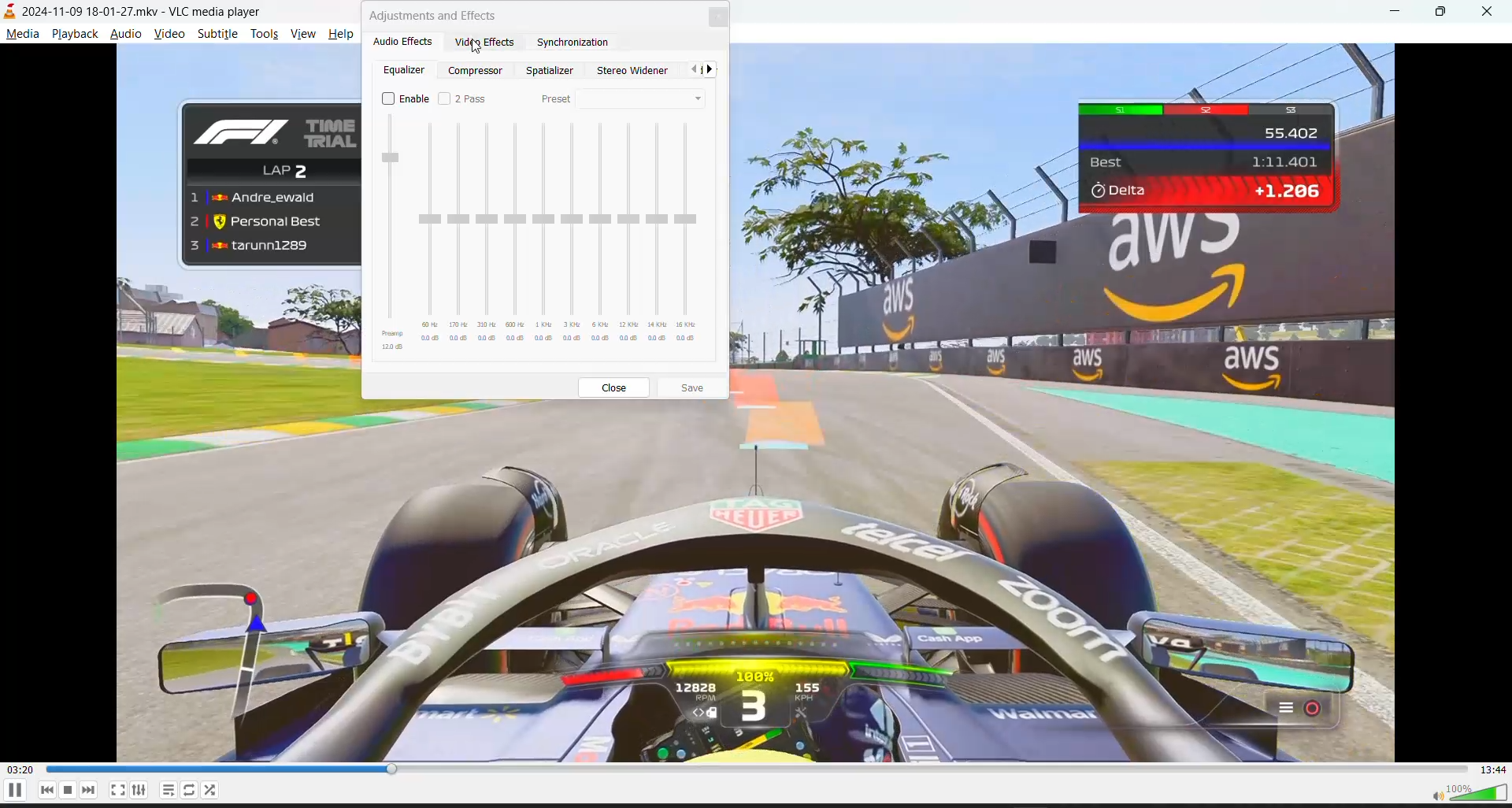 The height and width of the screenshot is (808, 1512). What do you see at coordinates (117, 791) in the screenshot?
I see `fullscreen` at bounding box center [117, 791].